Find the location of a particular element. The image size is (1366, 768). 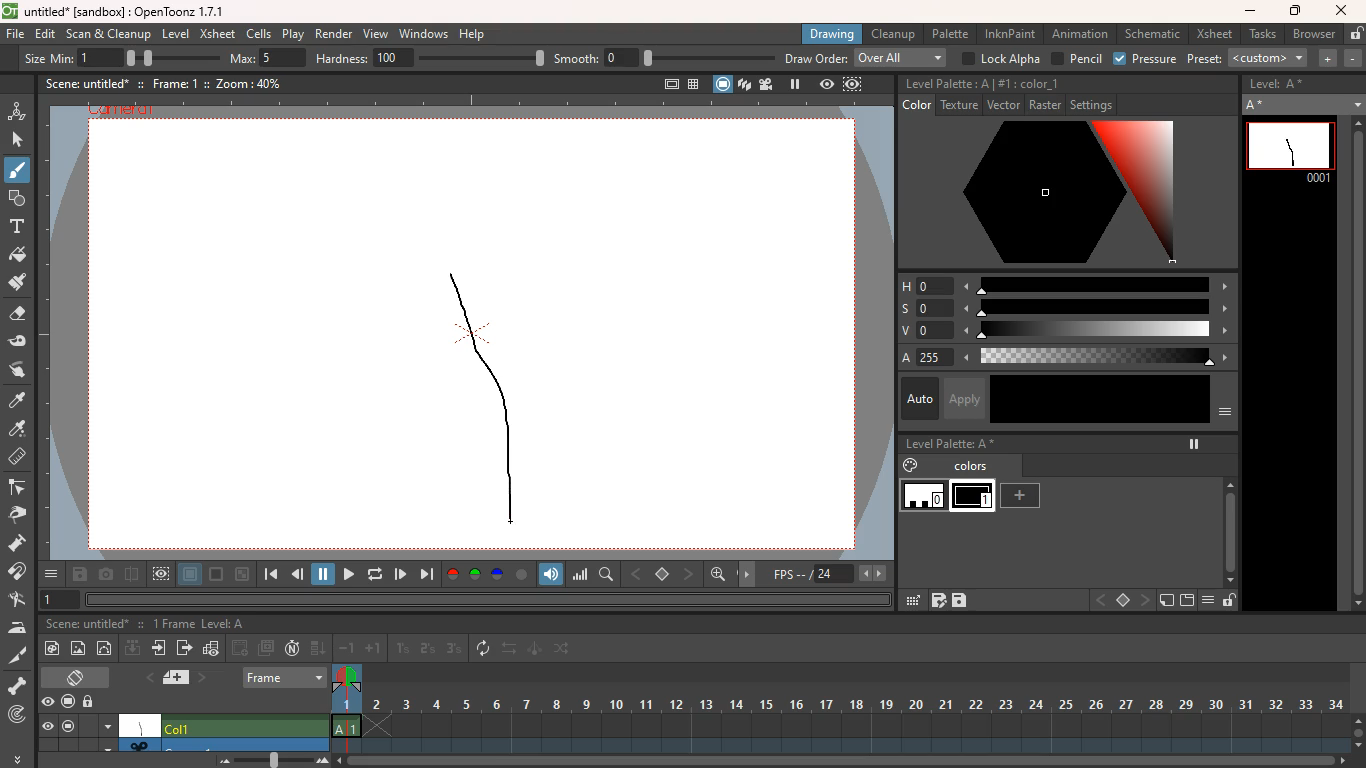

+1 is located at coordinates (374, 650).